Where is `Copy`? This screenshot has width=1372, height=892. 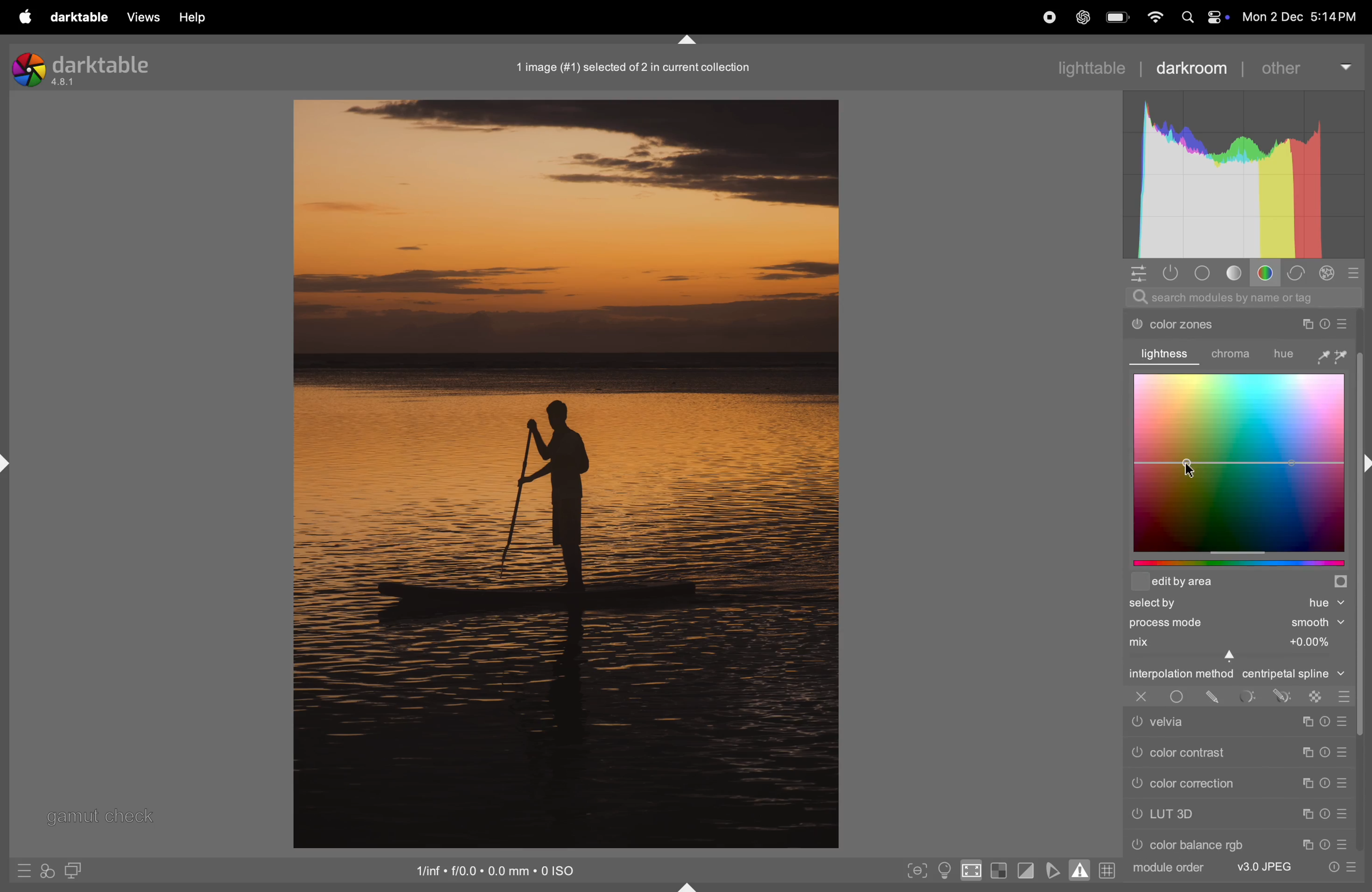 Copy is located at coordinates (1303, 324).